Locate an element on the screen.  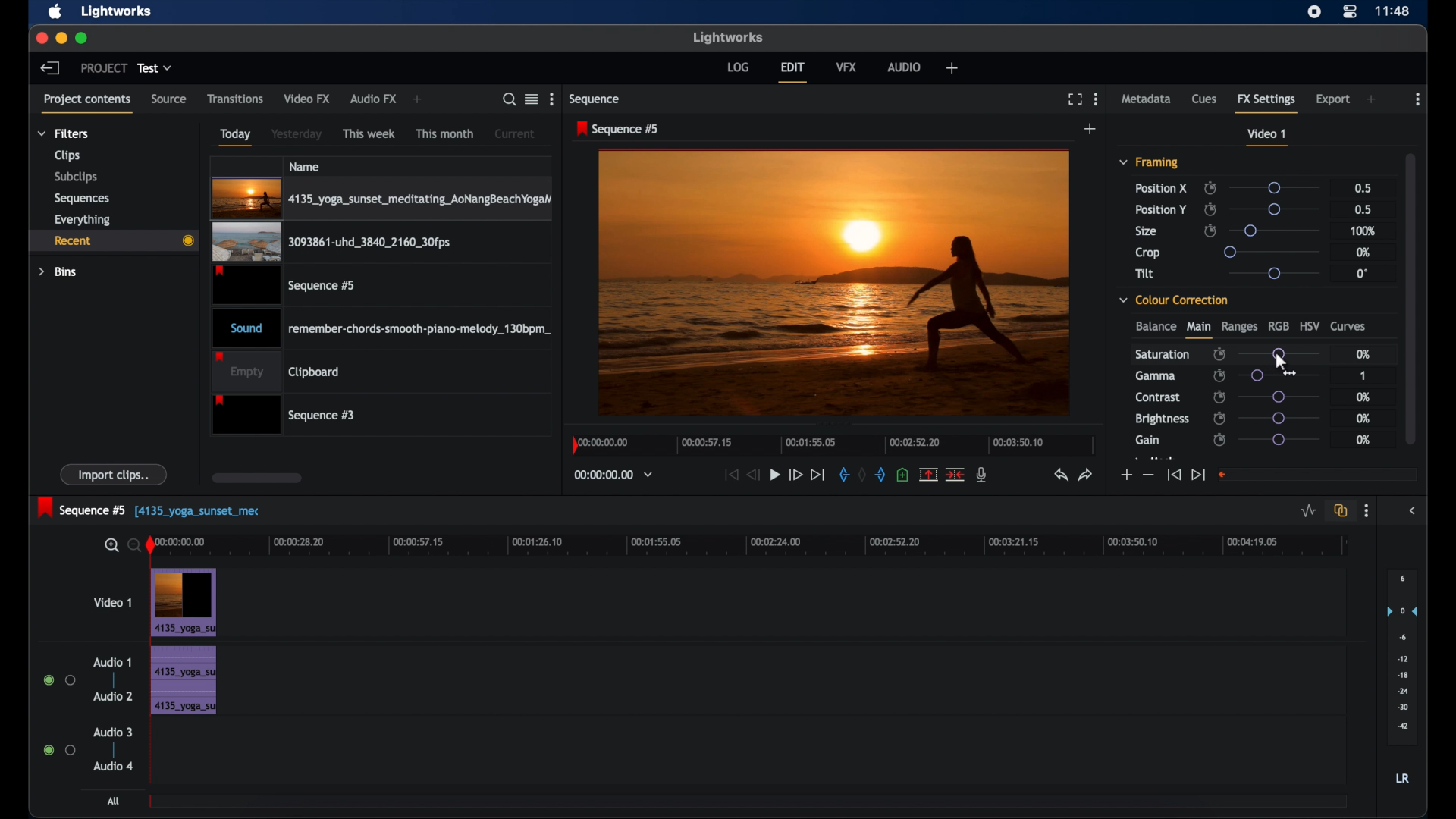
LR is located at coordinates (1402, 779).